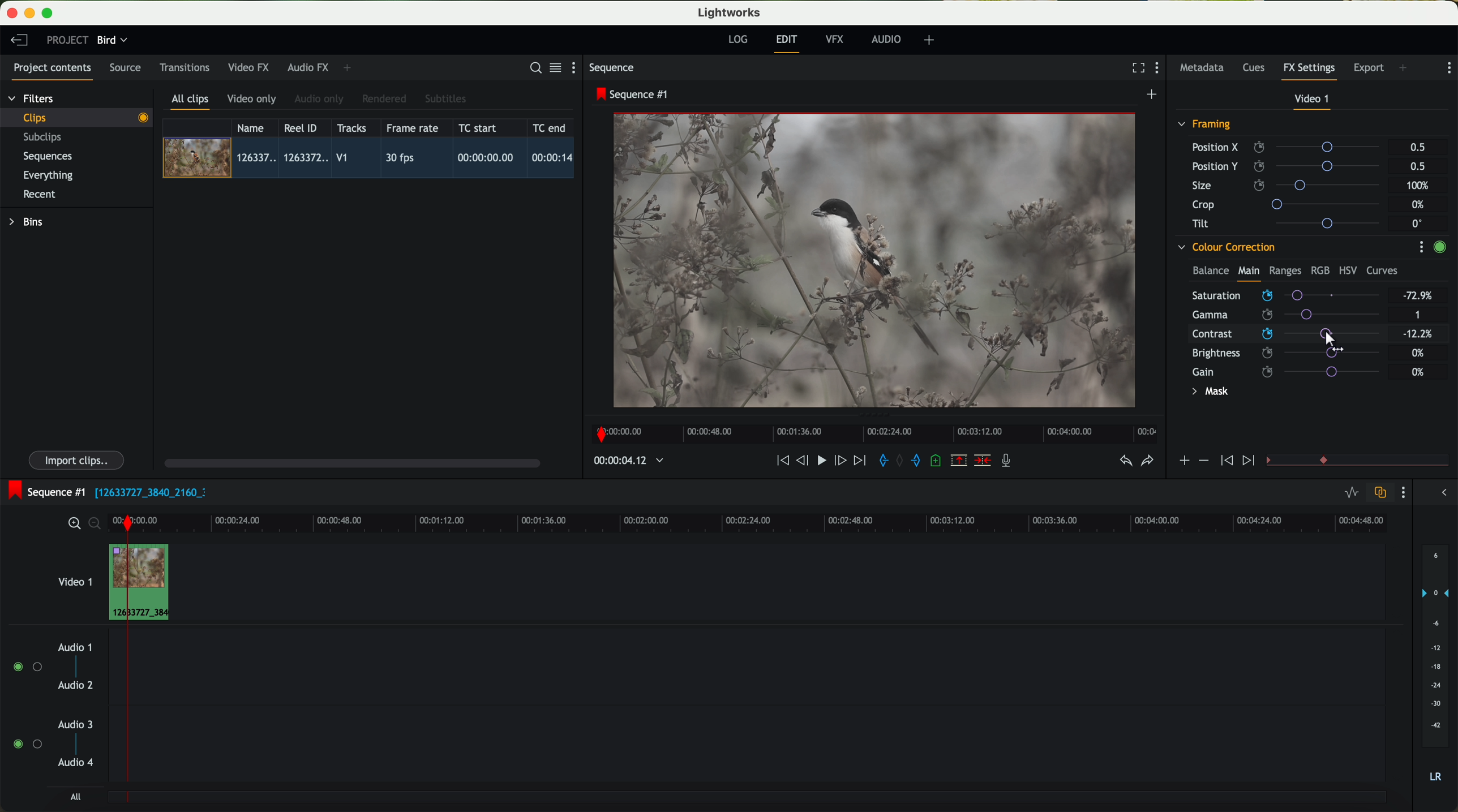 The height and width of the screenshot is (812, 1458). Describe the element at coordinates (821, 459) in the screenshot. I see `play` at that location.